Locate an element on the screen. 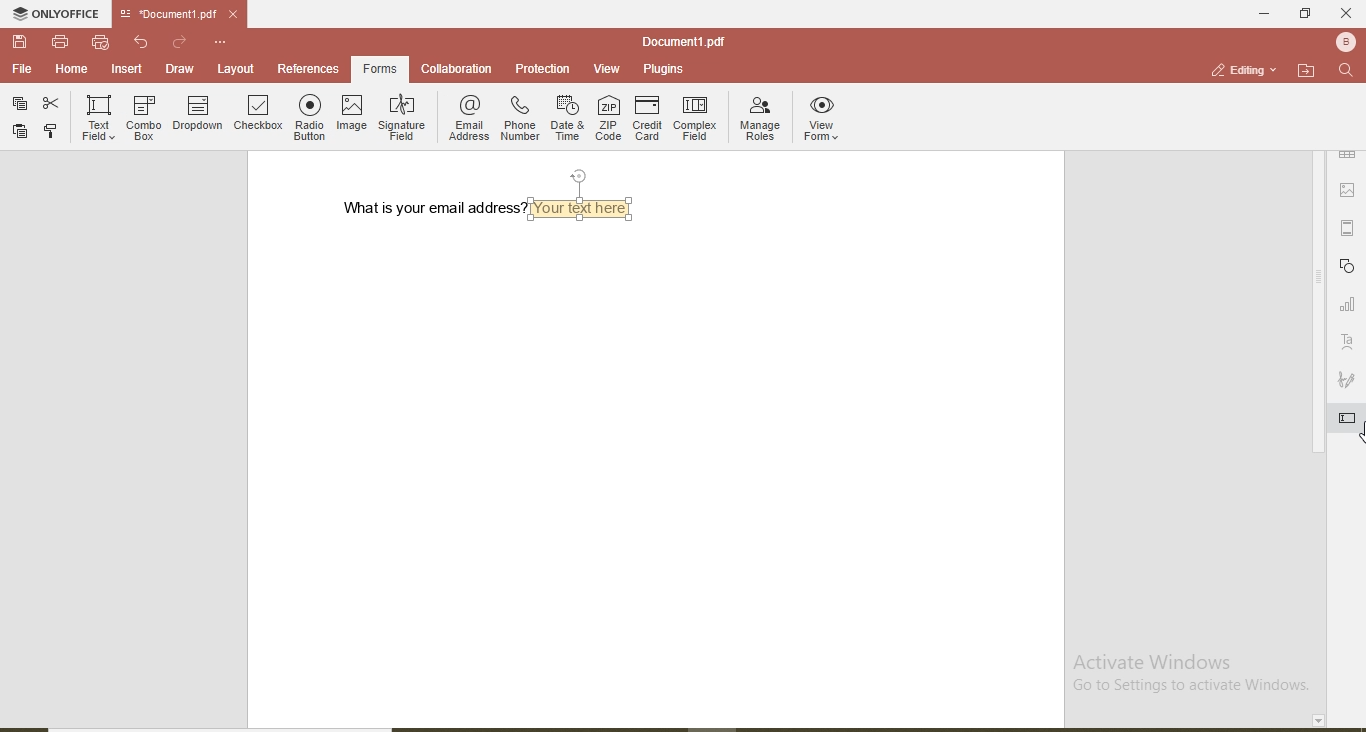 This screenshot has width=1366, height=732. cursor is located at coordinates (1351, 438).